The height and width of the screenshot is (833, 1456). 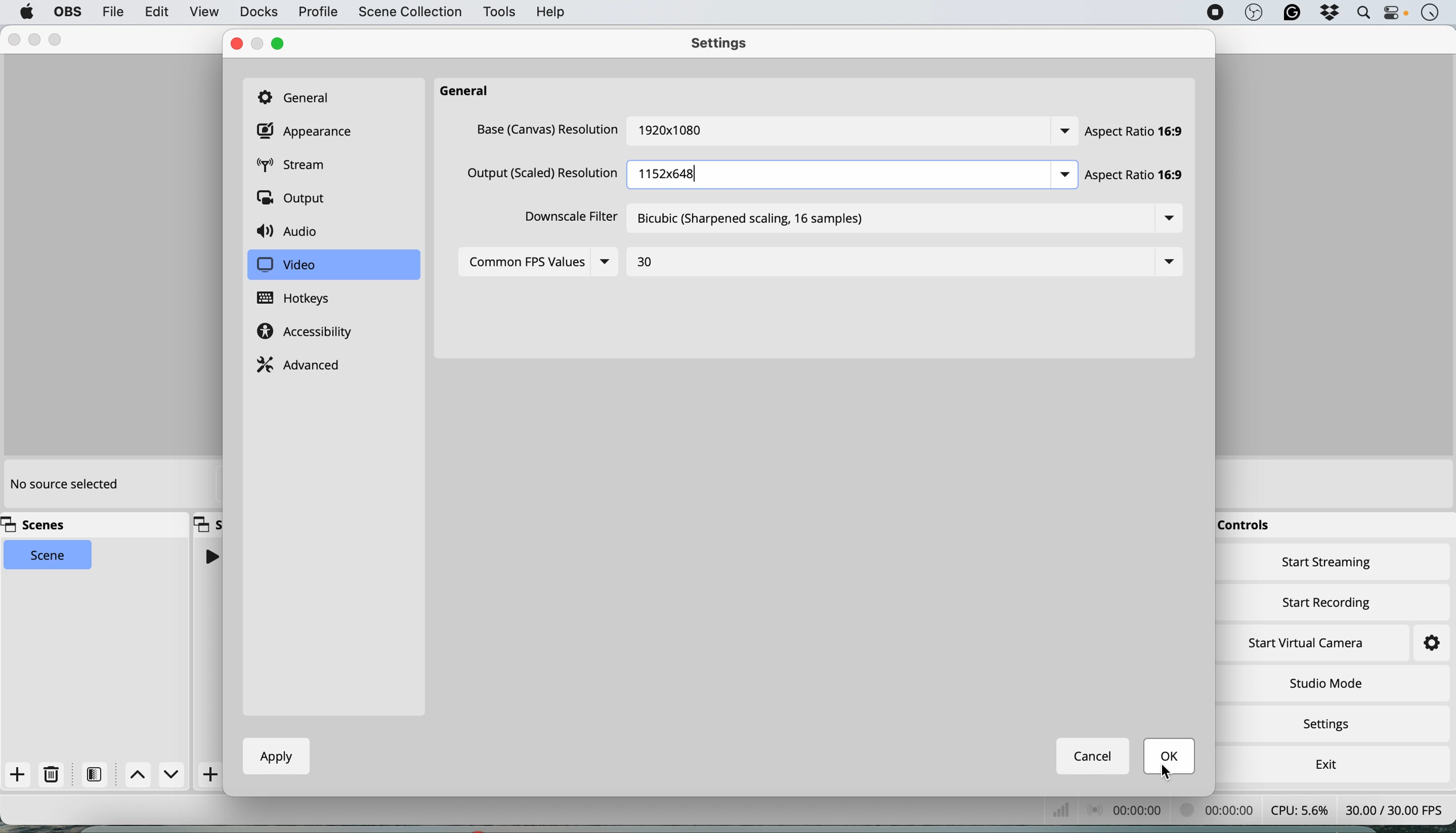 What do you see at coordinates (1143, 178) in the screenshot?
I see `aspect ratio` at bounding box center [1143, 178].